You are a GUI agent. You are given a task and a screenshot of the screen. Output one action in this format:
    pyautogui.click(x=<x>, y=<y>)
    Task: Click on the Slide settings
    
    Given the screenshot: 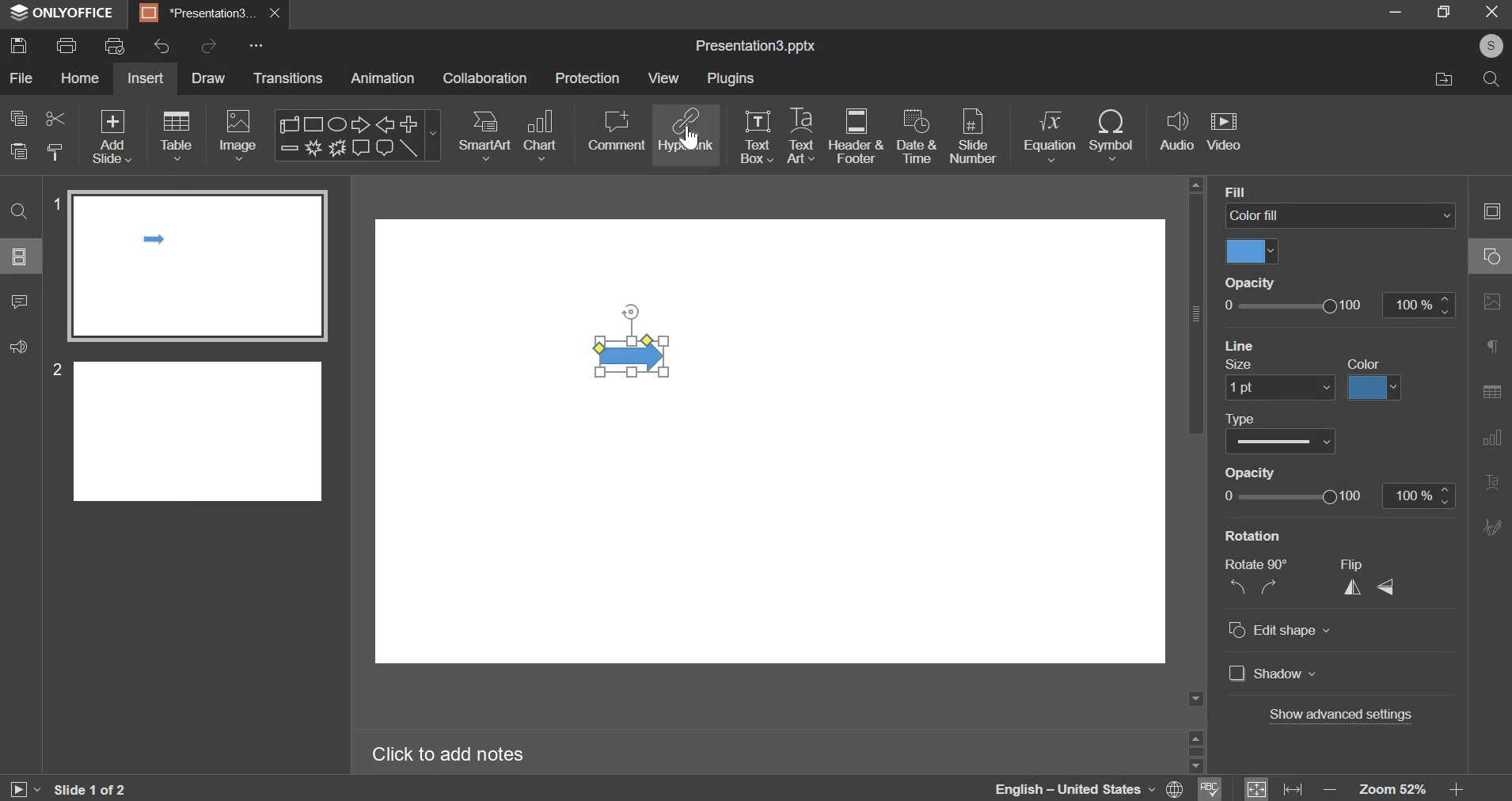 What is the action you would take?
    pyautogui.click(x=1491, y=211)
    